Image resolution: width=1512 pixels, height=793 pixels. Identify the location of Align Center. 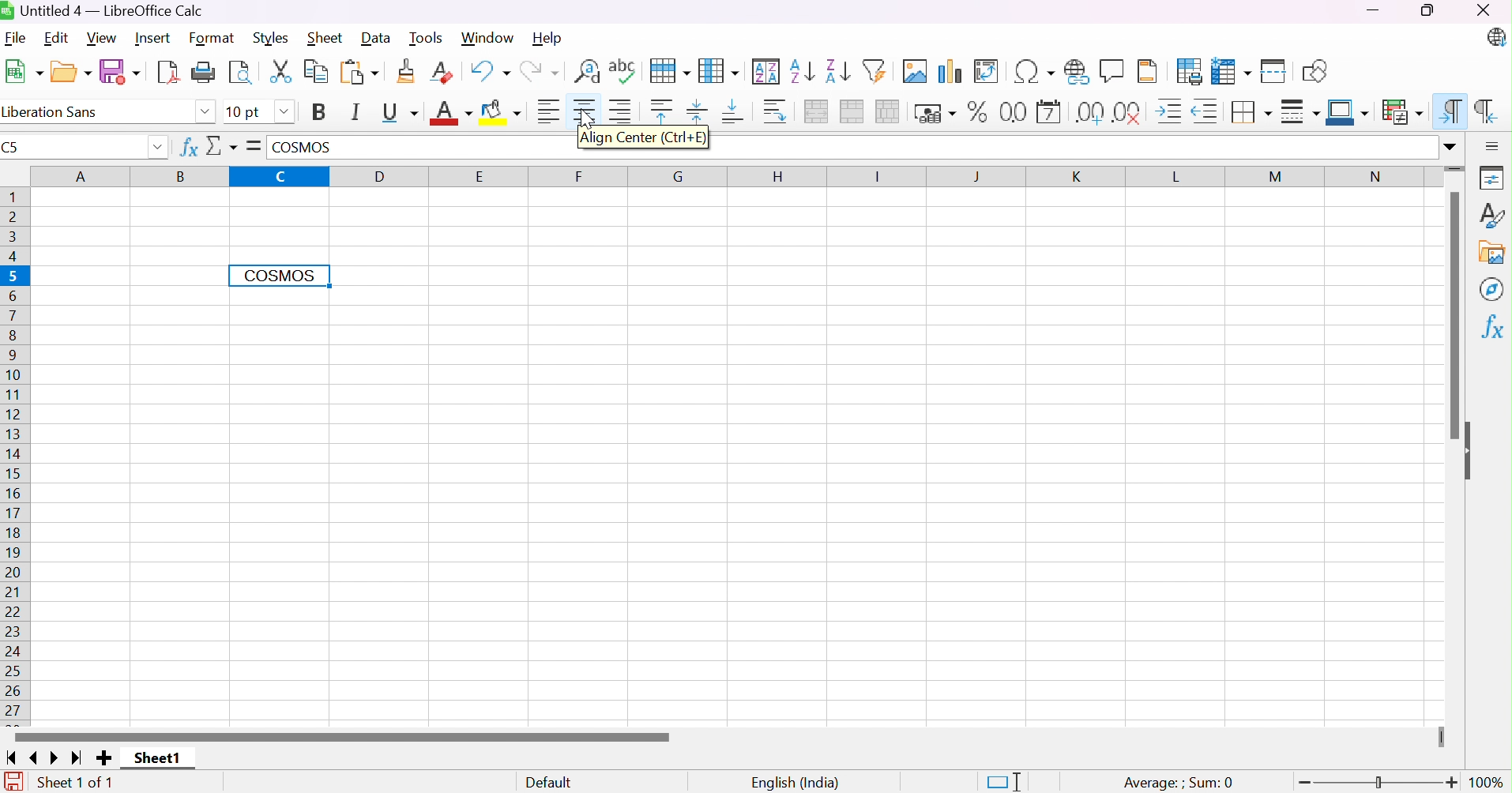
(585, 111).